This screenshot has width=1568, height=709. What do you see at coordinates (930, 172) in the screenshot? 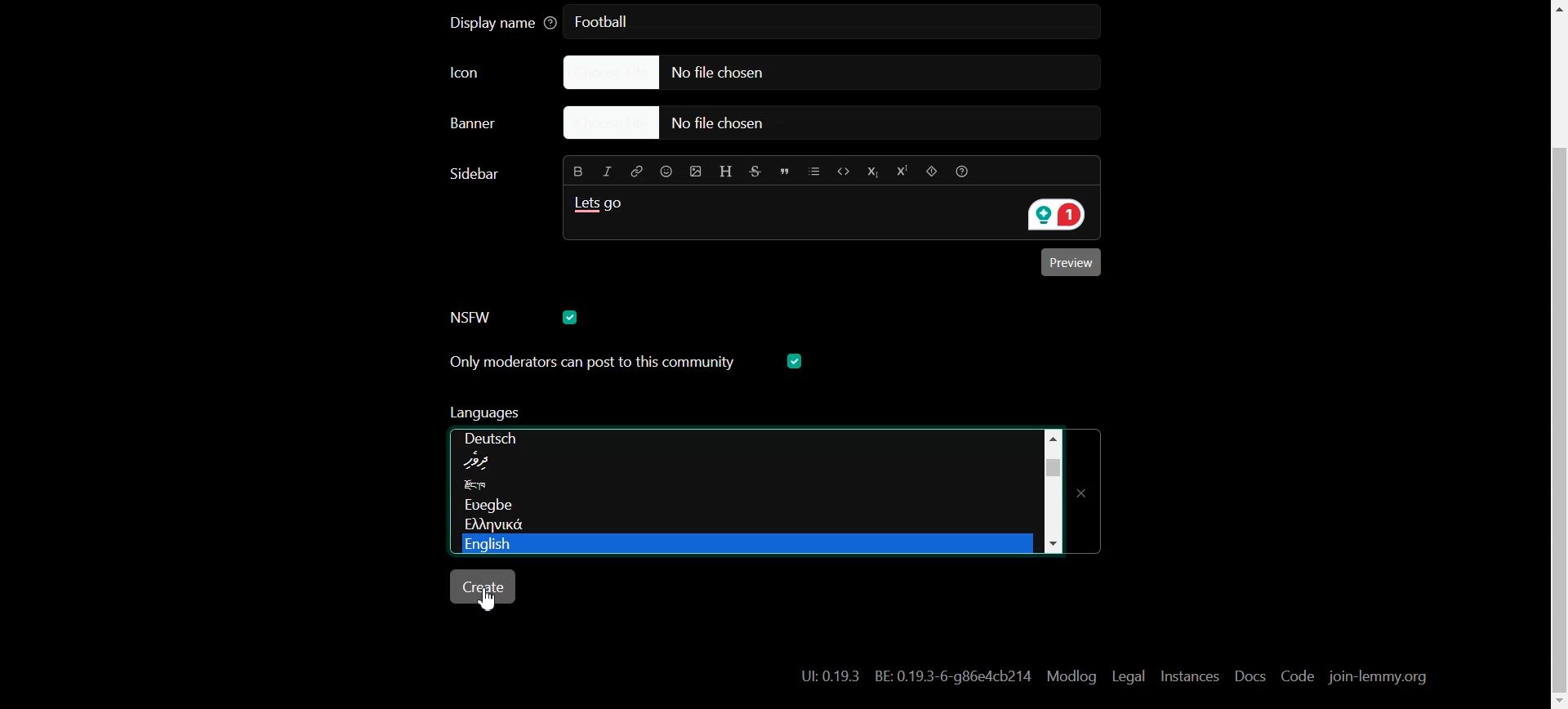
I see `Spoiler` at bounding box center [930, 172].